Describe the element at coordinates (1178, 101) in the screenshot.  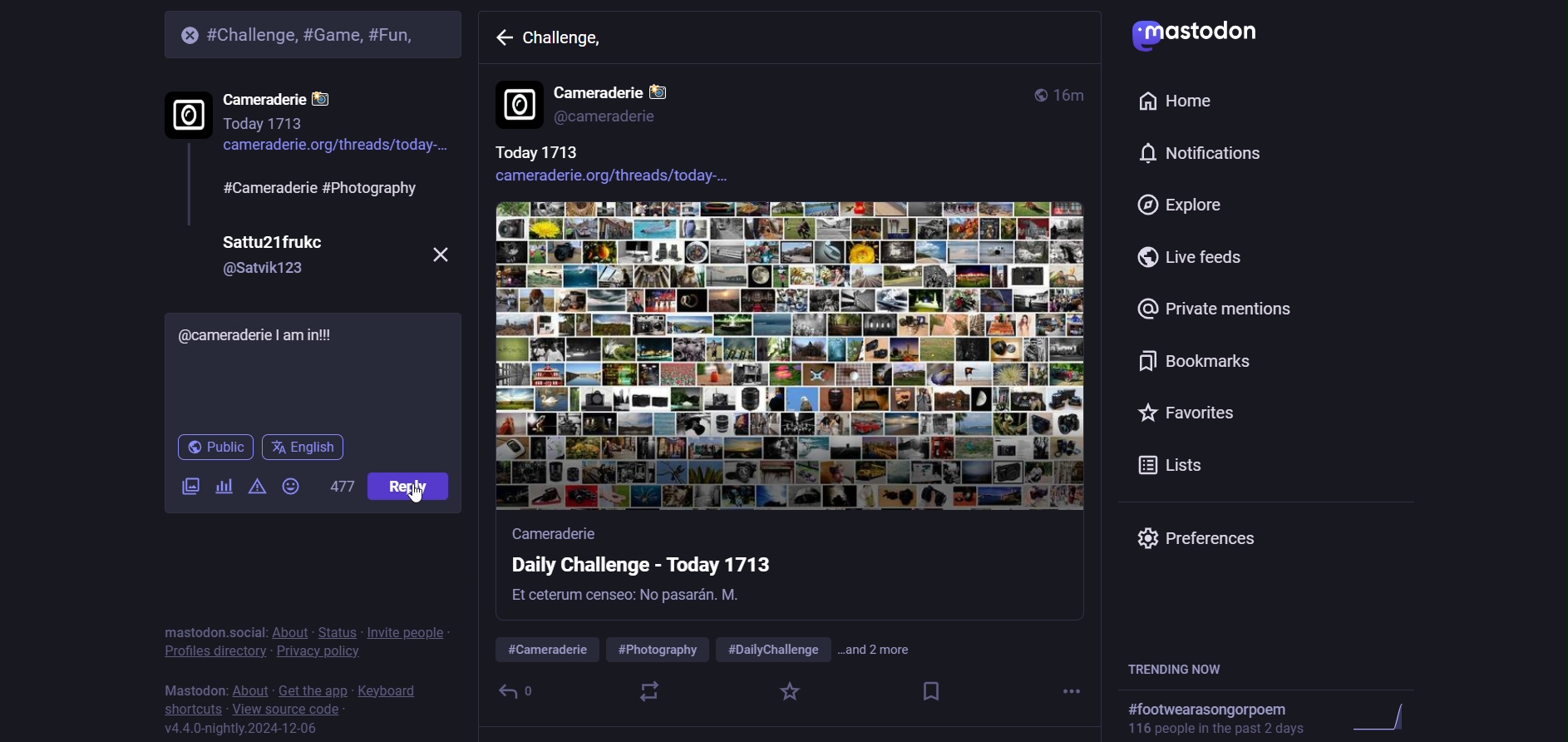
I see `home` at that location.